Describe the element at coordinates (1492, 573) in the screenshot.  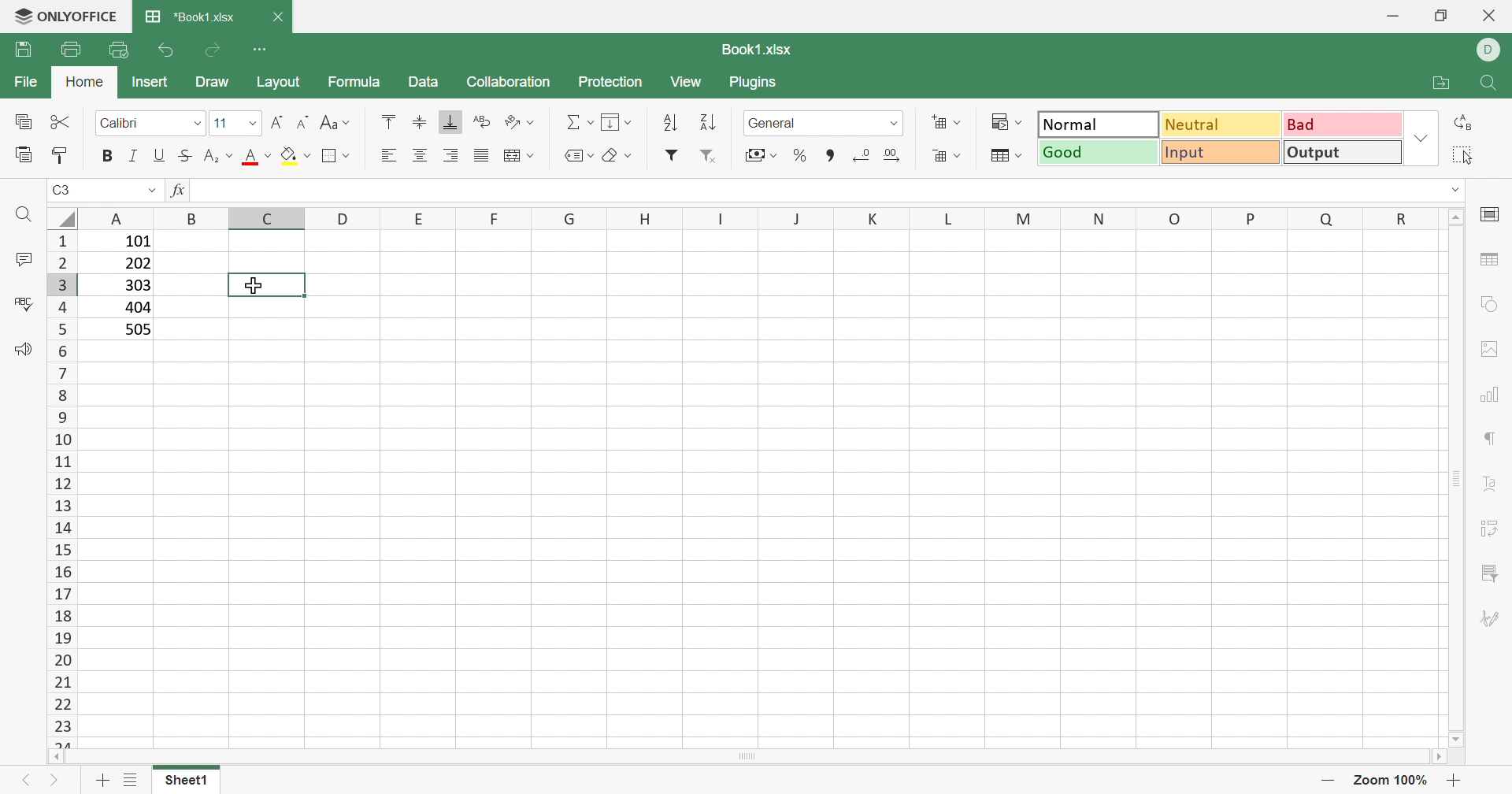
I see `slicer settings` at that location.